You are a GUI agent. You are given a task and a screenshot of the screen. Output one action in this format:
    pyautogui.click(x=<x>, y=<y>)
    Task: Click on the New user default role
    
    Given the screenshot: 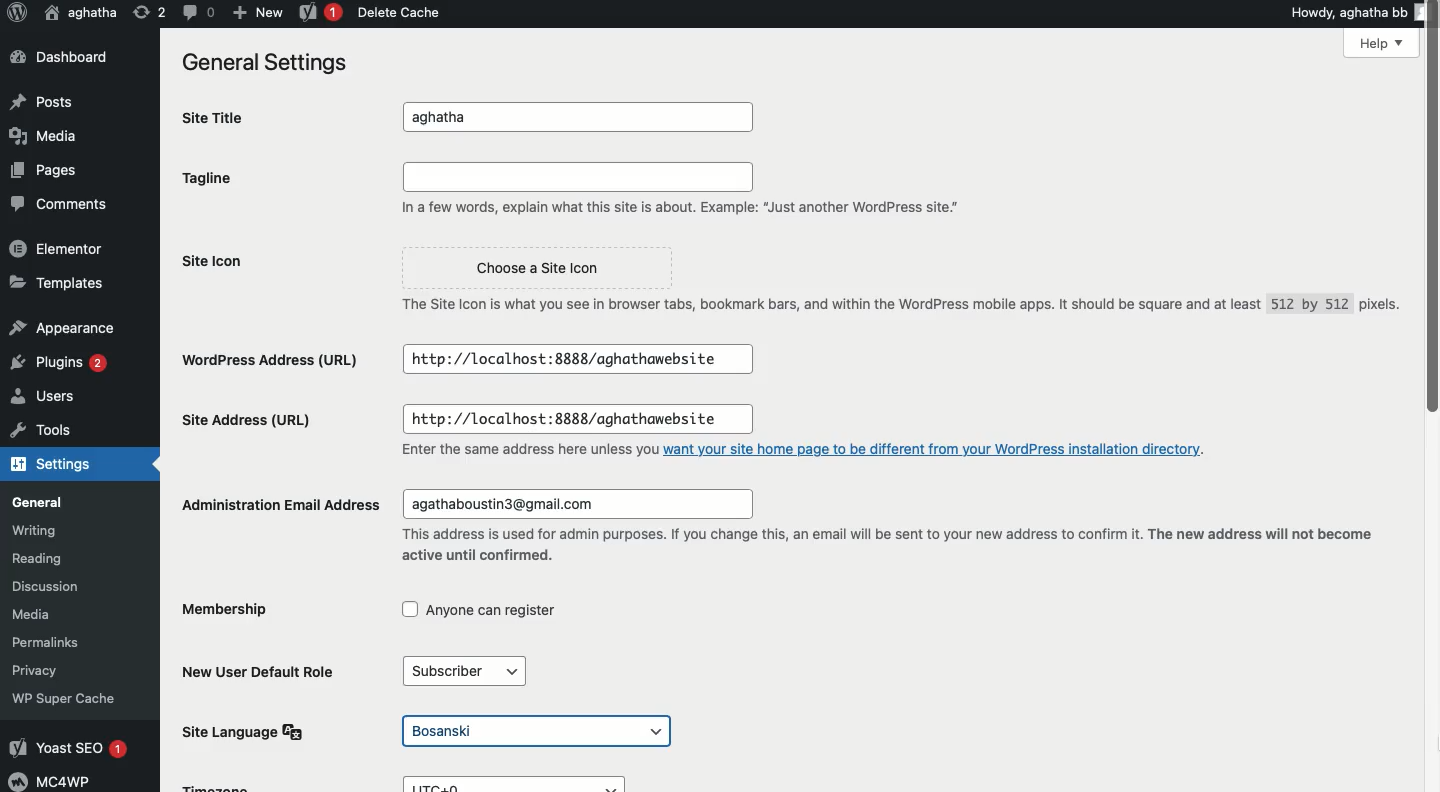 What is the action you would take?
    pyautogui.click(x=264, y=670)
    